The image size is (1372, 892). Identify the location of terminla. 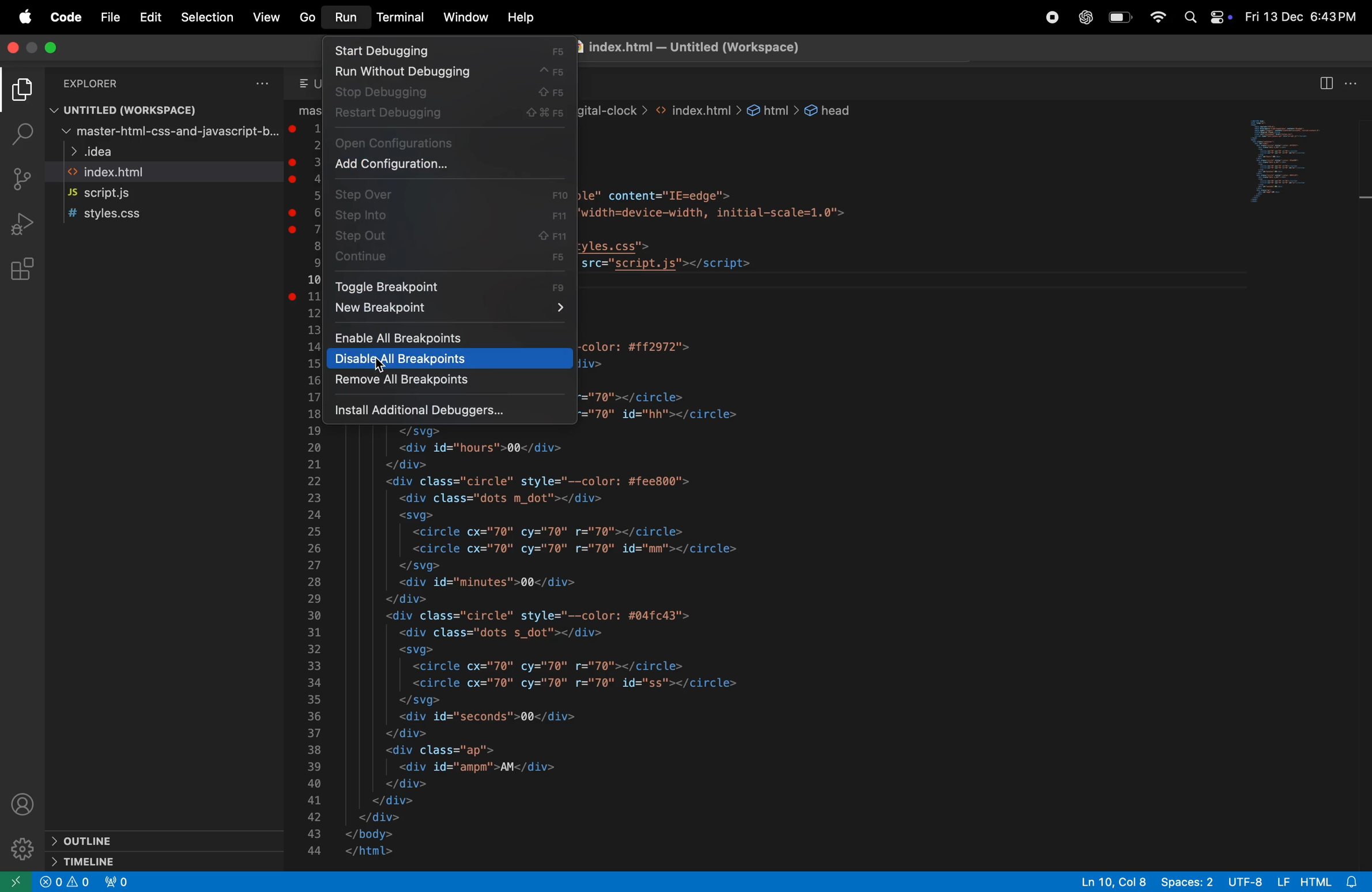
(398, 17).